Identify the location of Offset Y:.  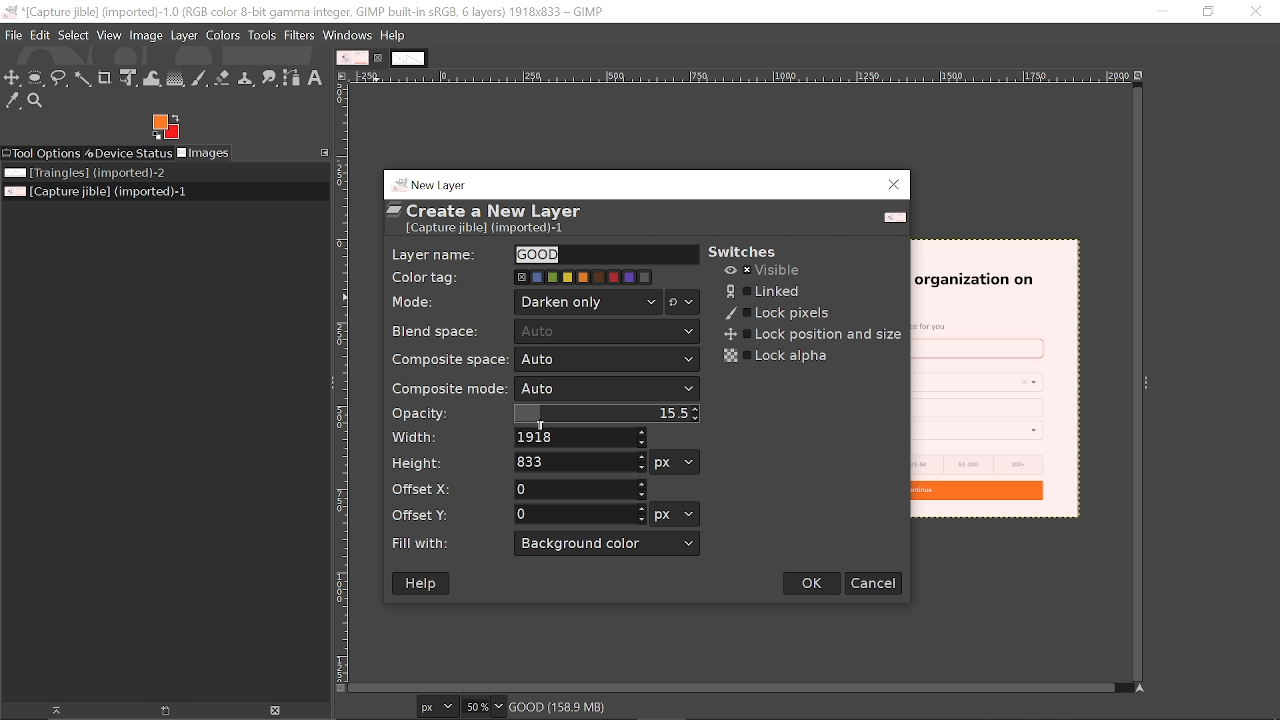
(430, 513).